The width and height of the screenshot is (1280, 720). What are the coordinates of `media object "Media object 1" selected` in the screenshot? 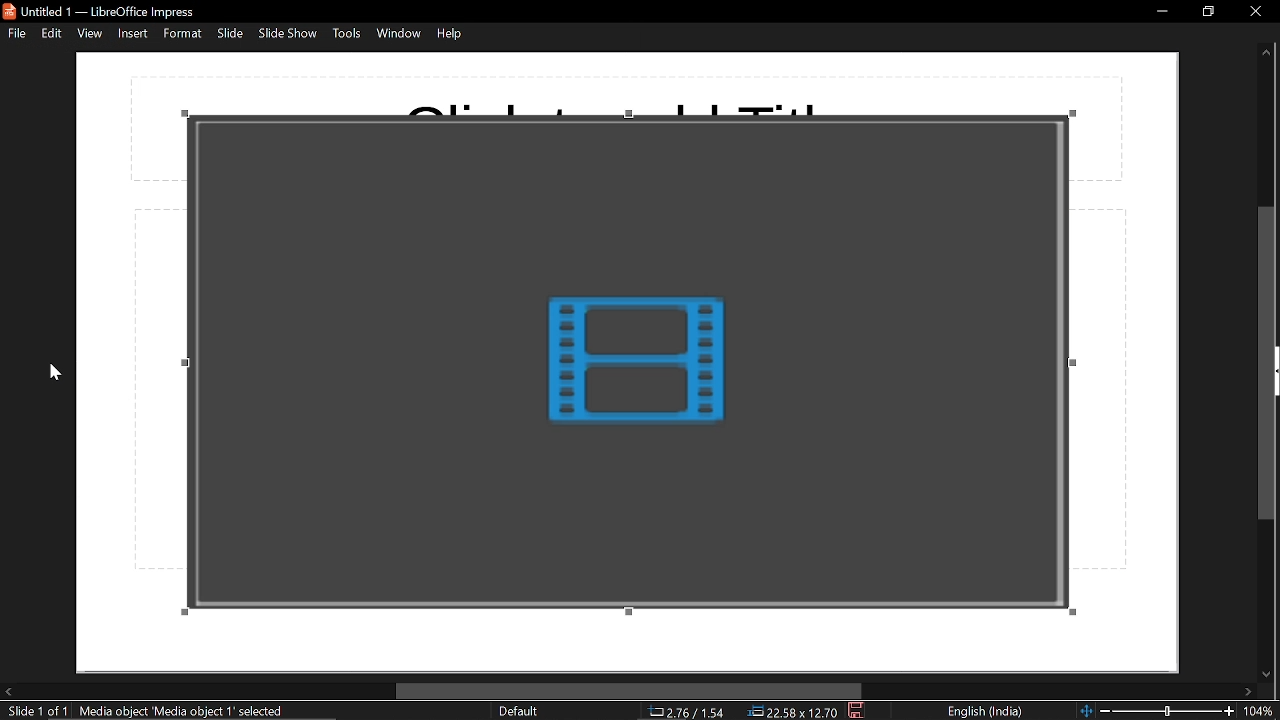 It's located at (184, 710).